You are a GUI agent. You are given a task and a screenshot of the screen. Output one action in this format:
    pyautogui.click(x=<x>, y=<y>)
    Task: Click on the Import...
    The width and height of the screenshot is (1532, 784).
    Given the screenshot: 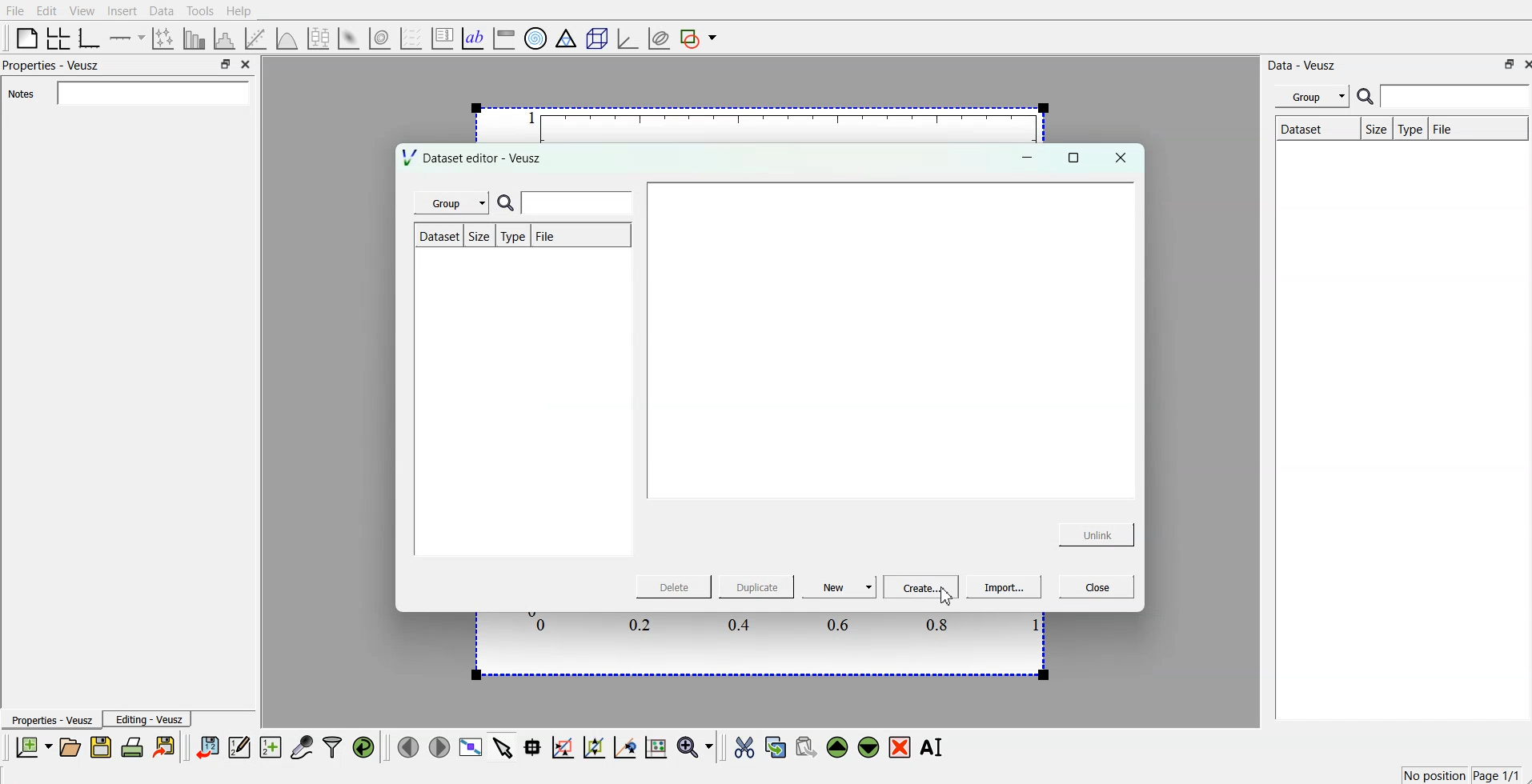 What is the action you would take?
    pyautogui.click(x=1005, y=587)
    